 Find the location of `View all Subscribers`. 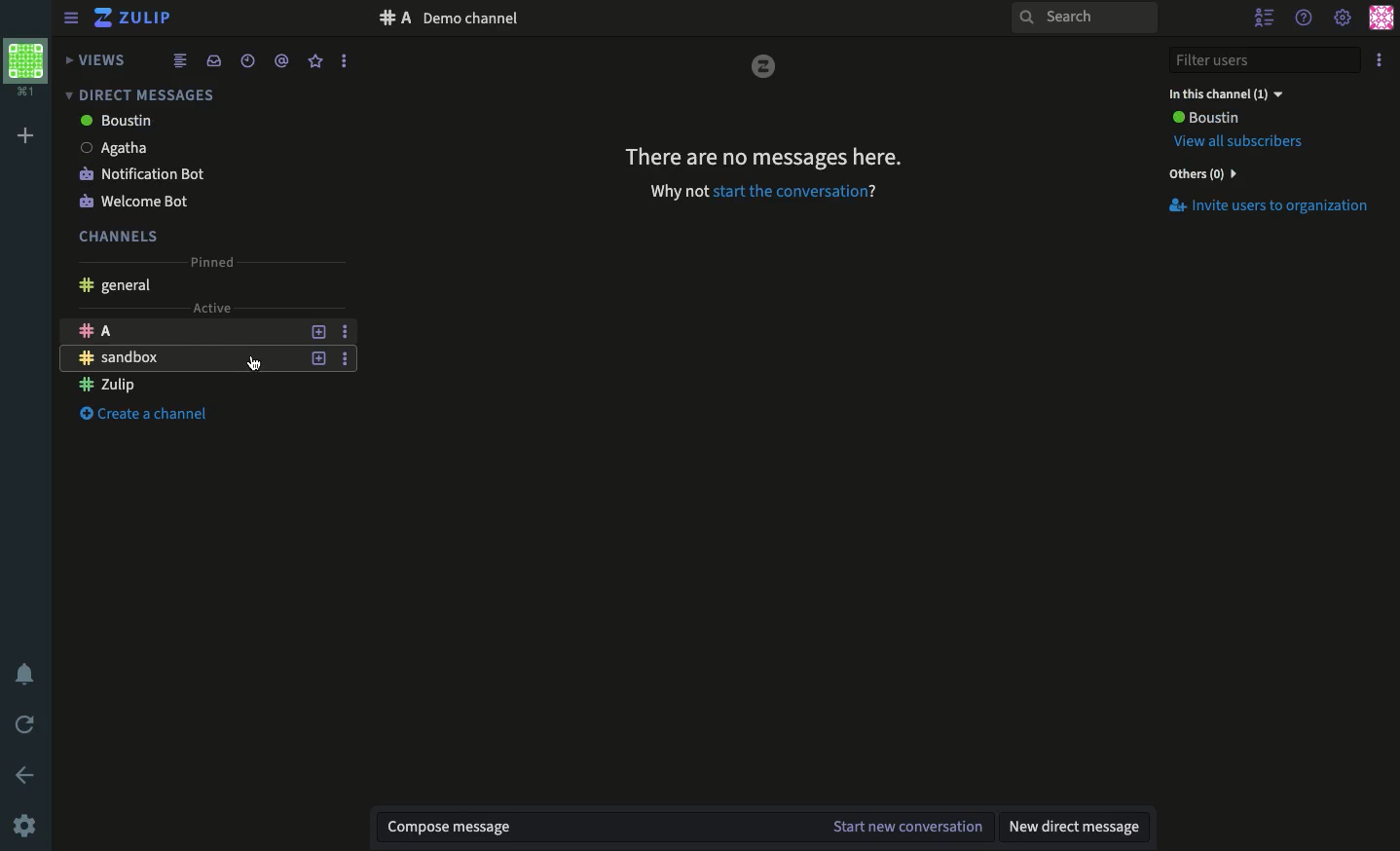

View all Subscribers is located at coordinates (1242, 141).